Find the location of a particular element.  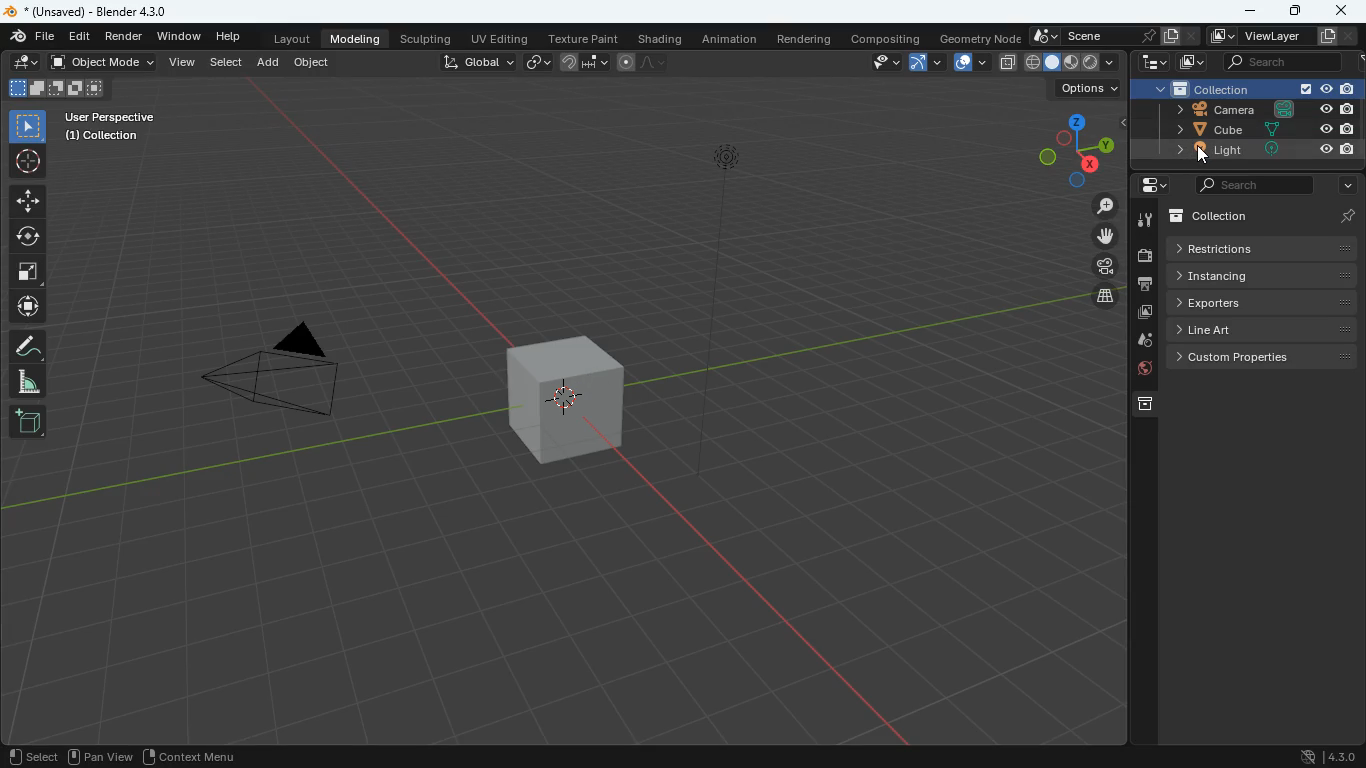

camera is located at coordinates (1144, 257).